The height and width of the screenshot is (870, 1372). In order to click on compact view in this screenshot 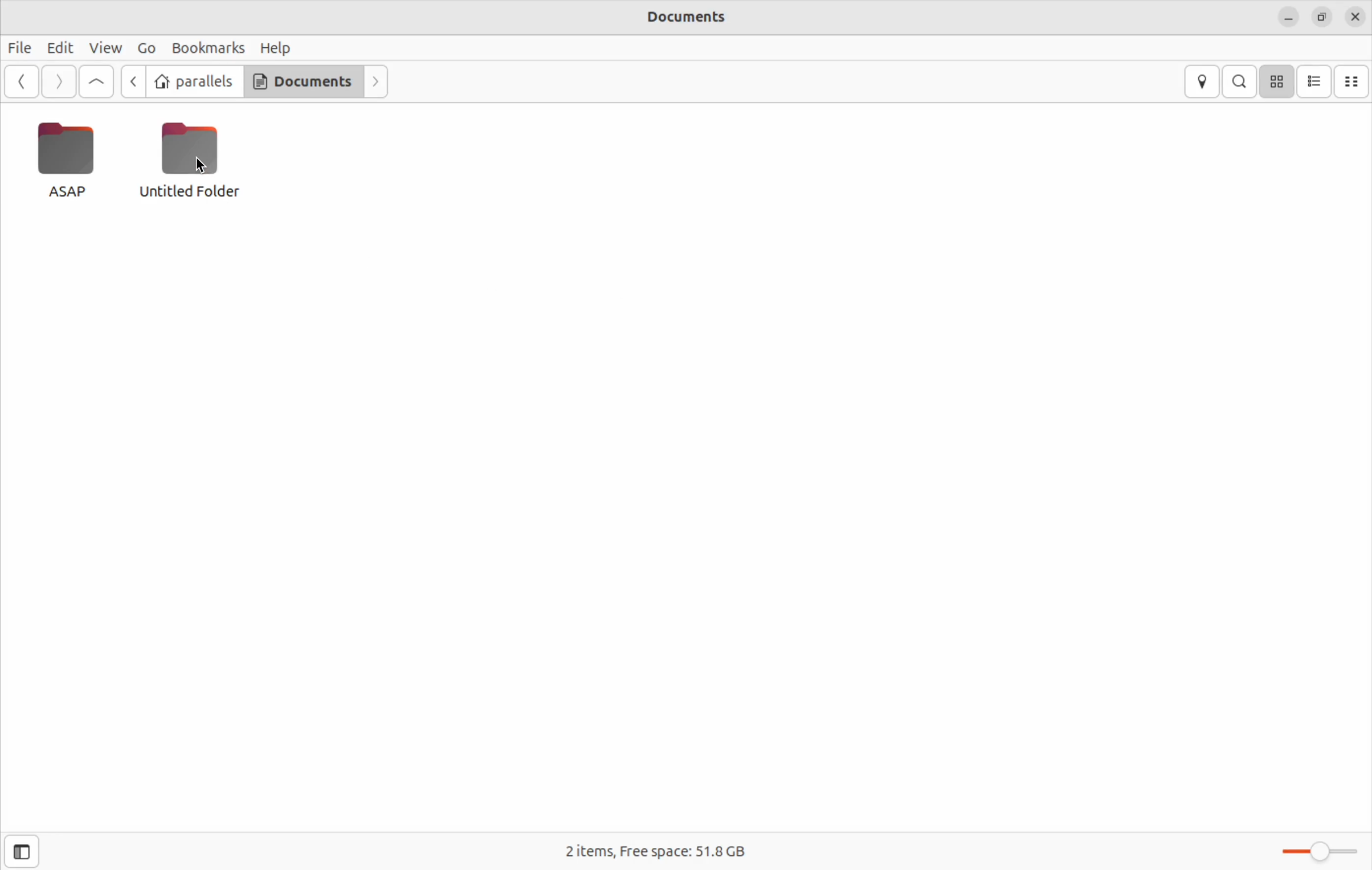, I will do `click(1355, 80)`.